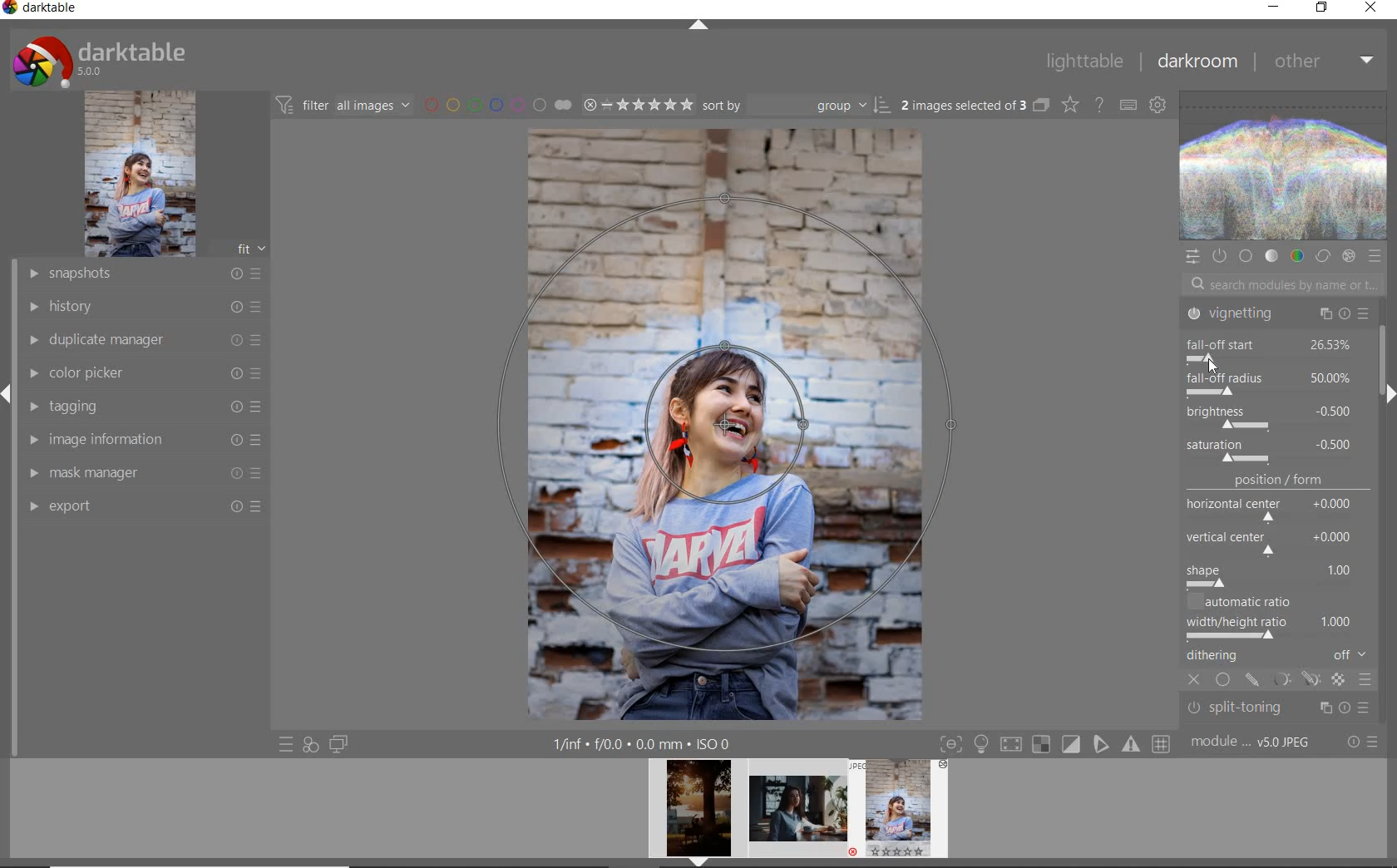 The width and height of the screenshot is (1397, 868). Describe the element at coordinates (1192, 257) in the screenshot. I see `quick access panel` at that location.